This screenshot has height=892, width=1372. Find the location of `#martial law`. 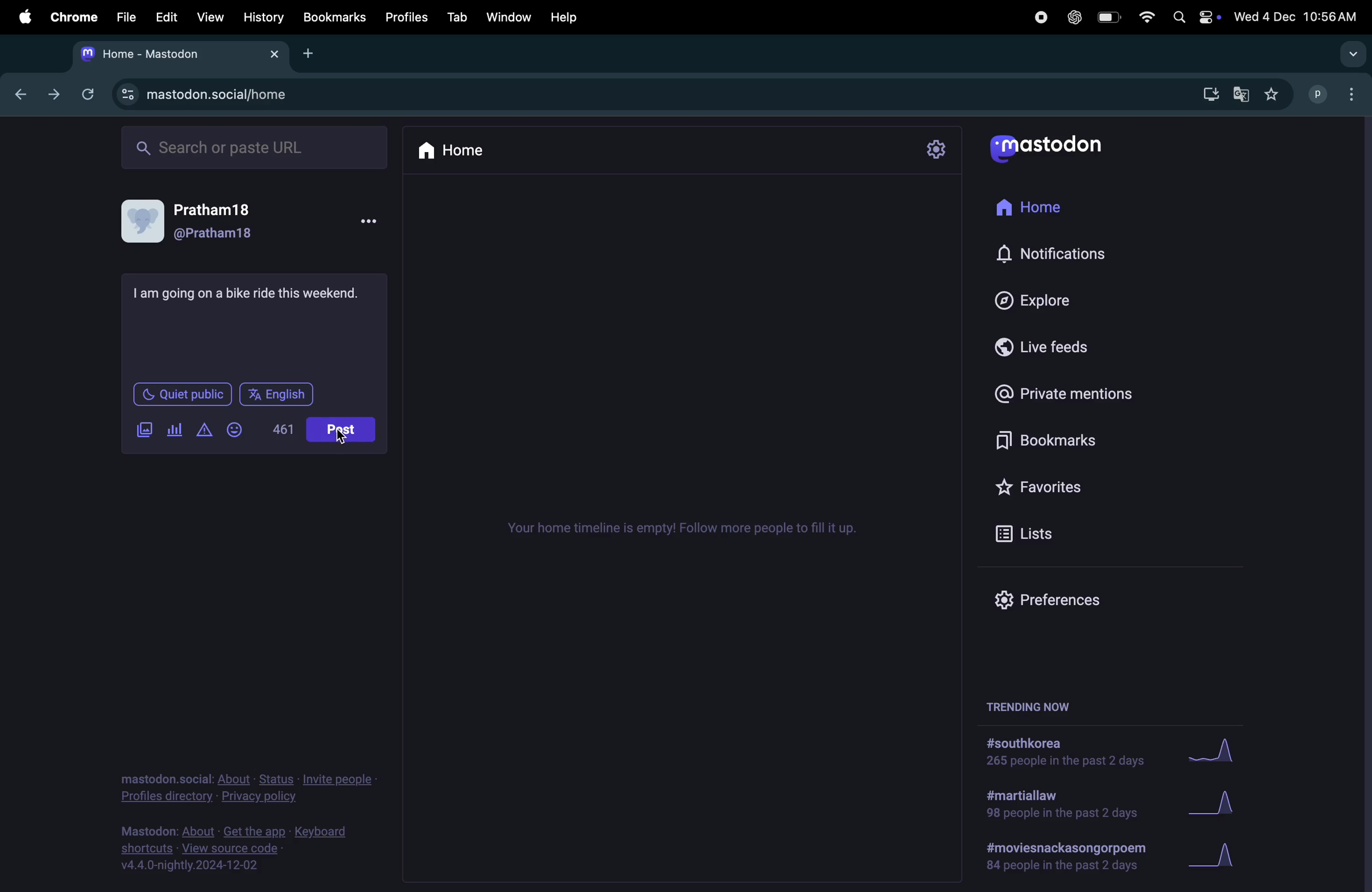

#martial law is located at coordinates (1061, 803).